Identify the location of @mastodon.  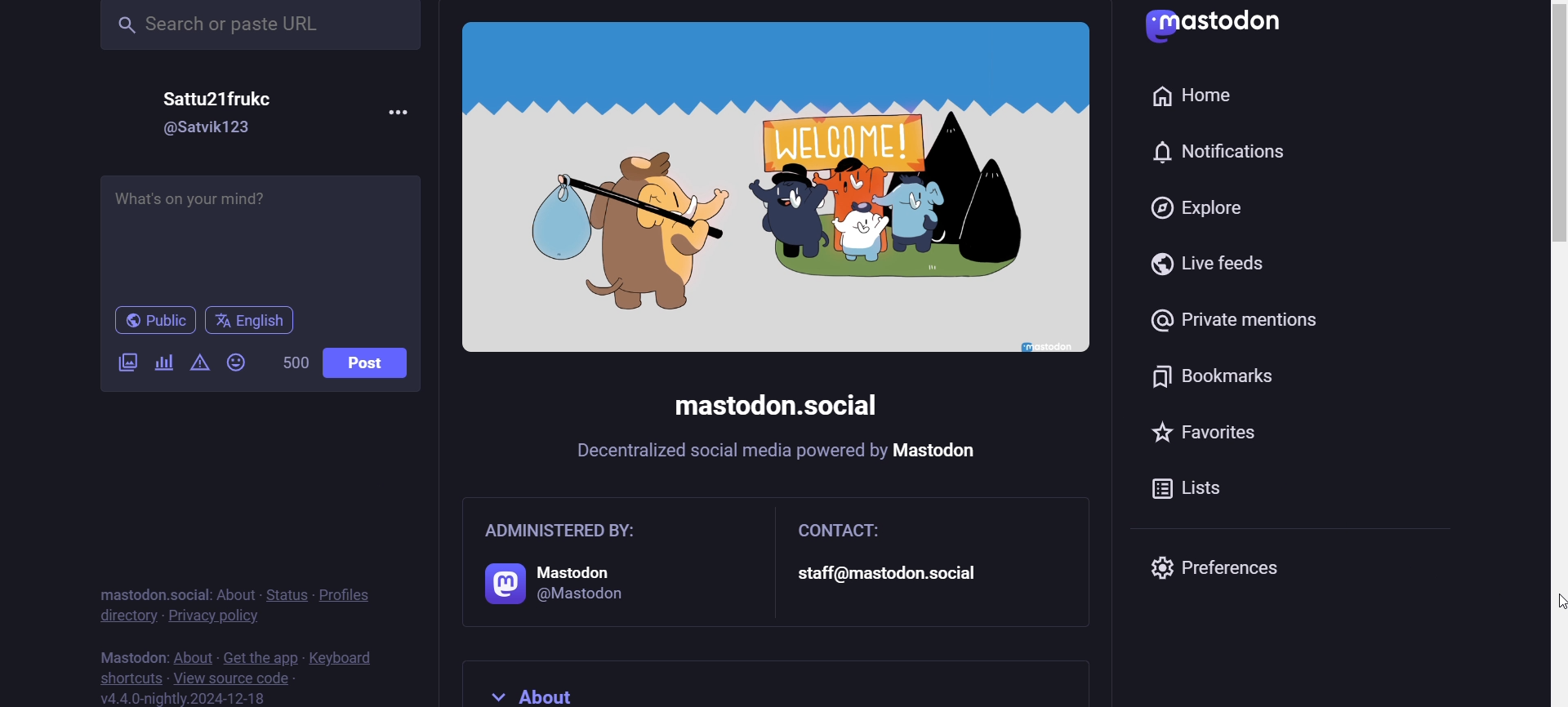
(584, 587).